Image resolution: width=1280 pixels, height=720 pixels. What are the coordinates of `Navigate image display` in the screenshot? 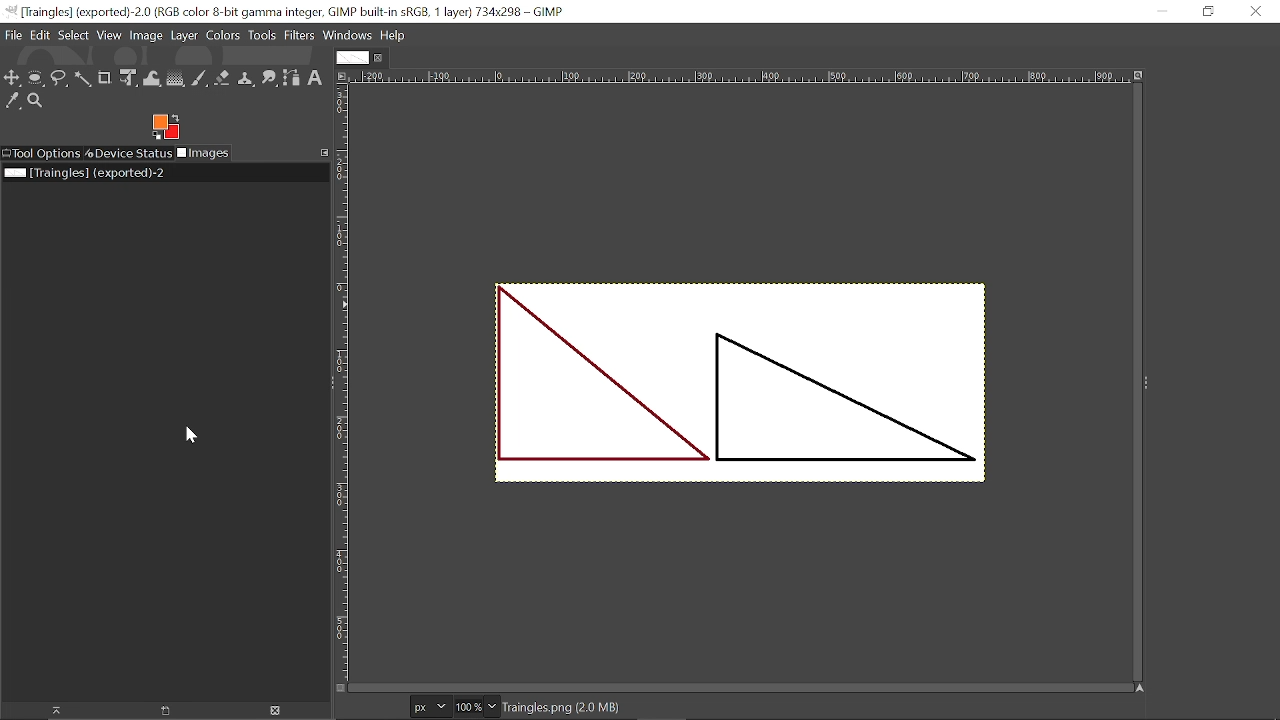 It's located at (1139, 687).